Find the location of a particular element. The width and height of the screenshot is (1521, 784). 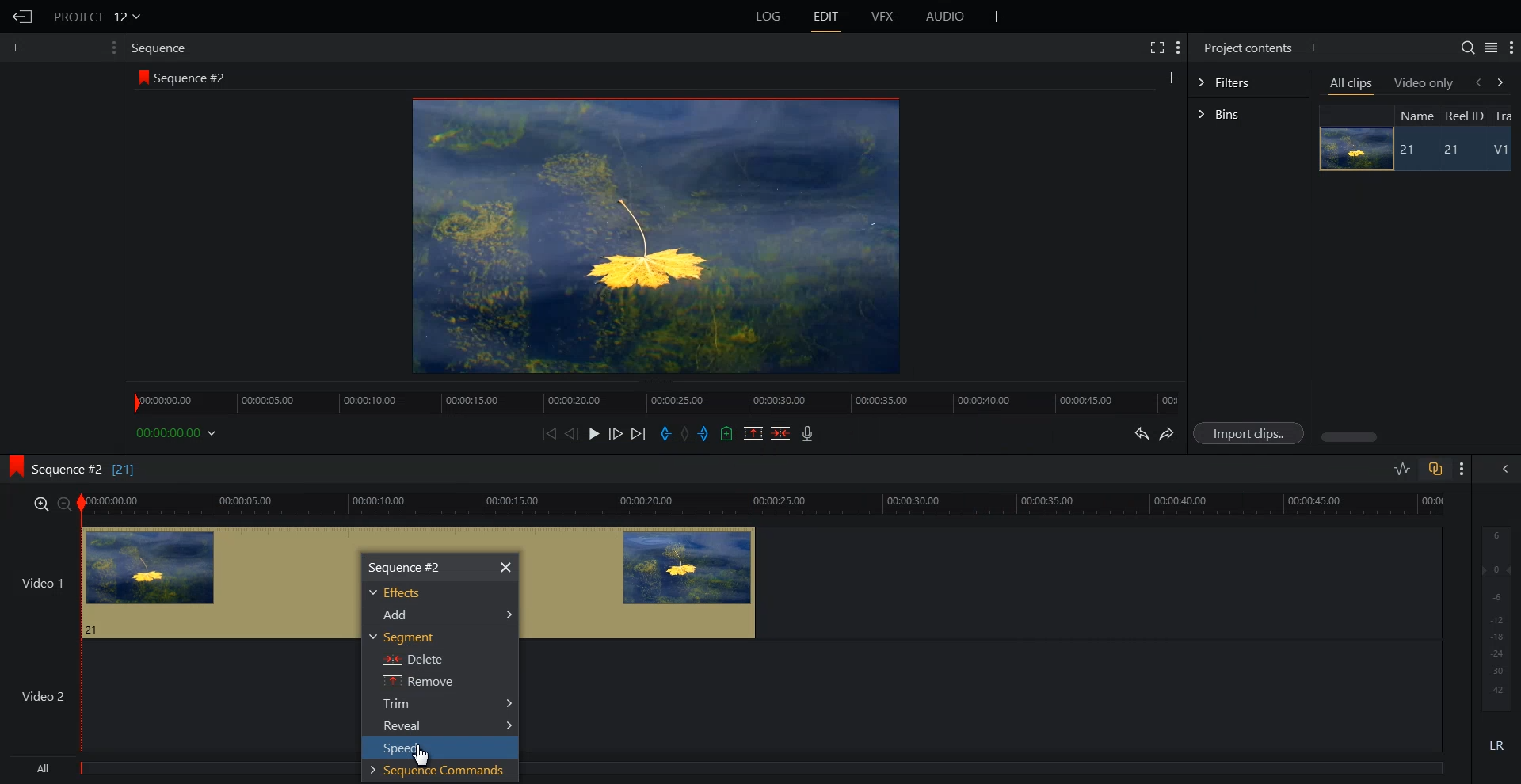

logo is located at coordinates (140, 77).